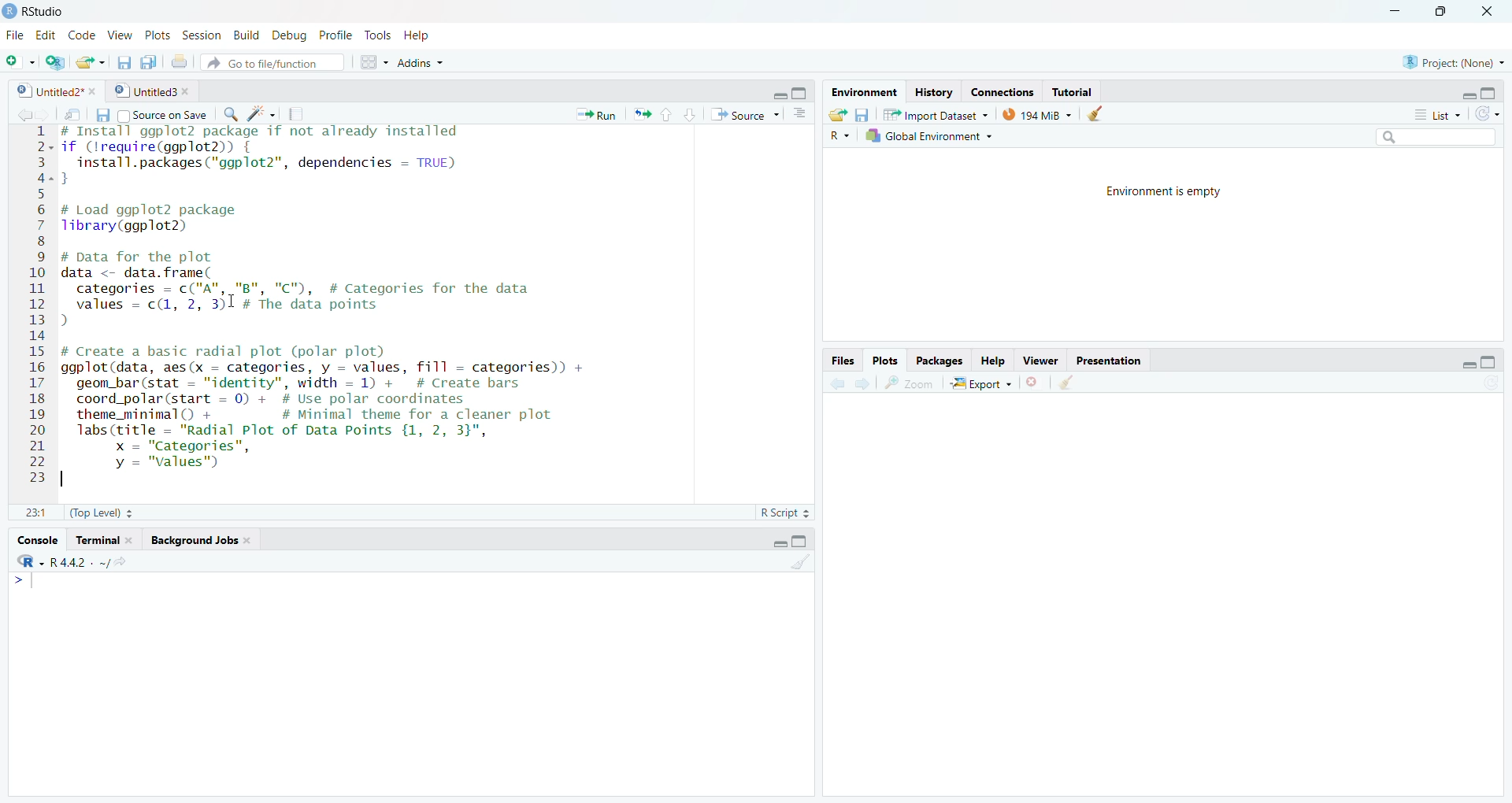 Image resolution: width=1512 pixels, height=803 pixels. I want to click on Session, so click(202, 35).